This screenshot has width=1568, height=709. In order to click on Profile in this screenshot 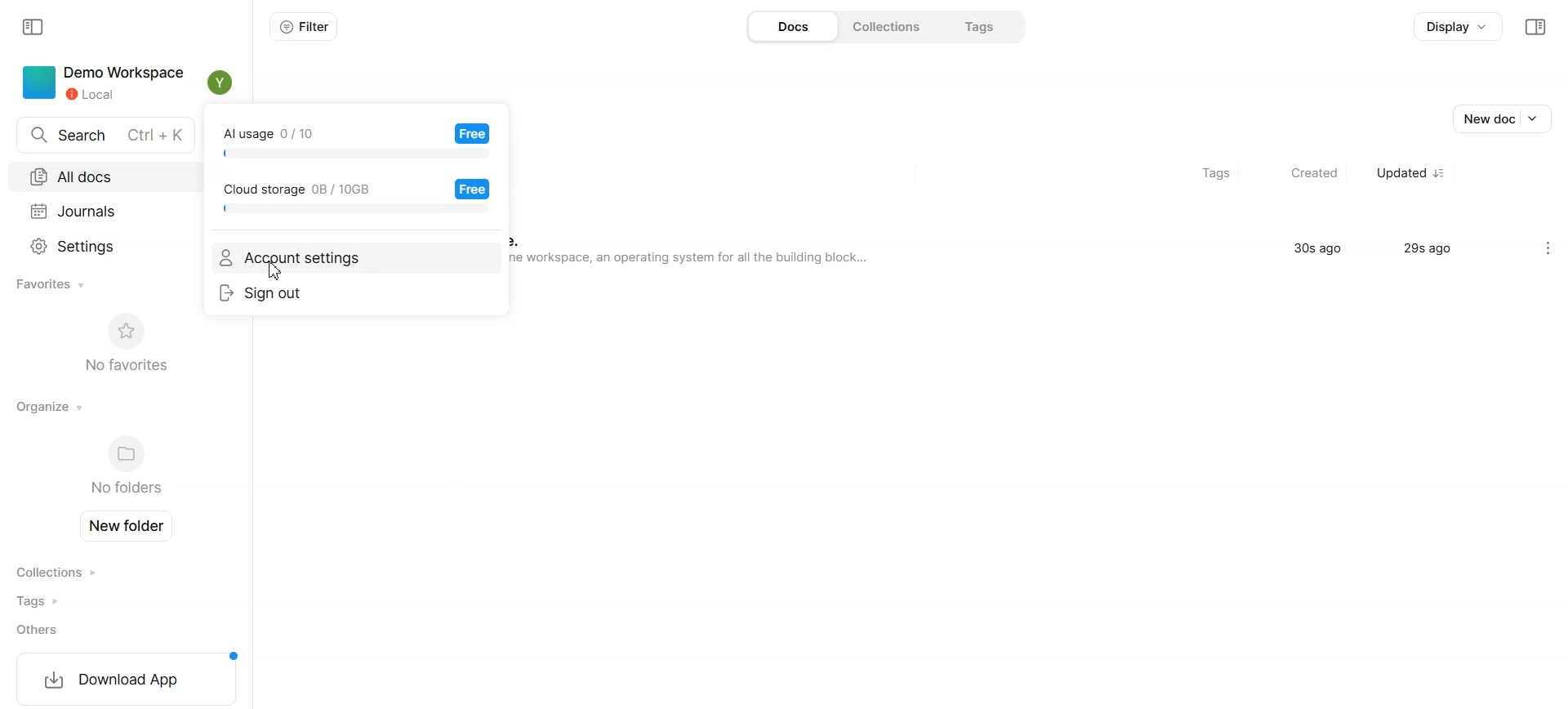, I will do `click(220, 82)`.